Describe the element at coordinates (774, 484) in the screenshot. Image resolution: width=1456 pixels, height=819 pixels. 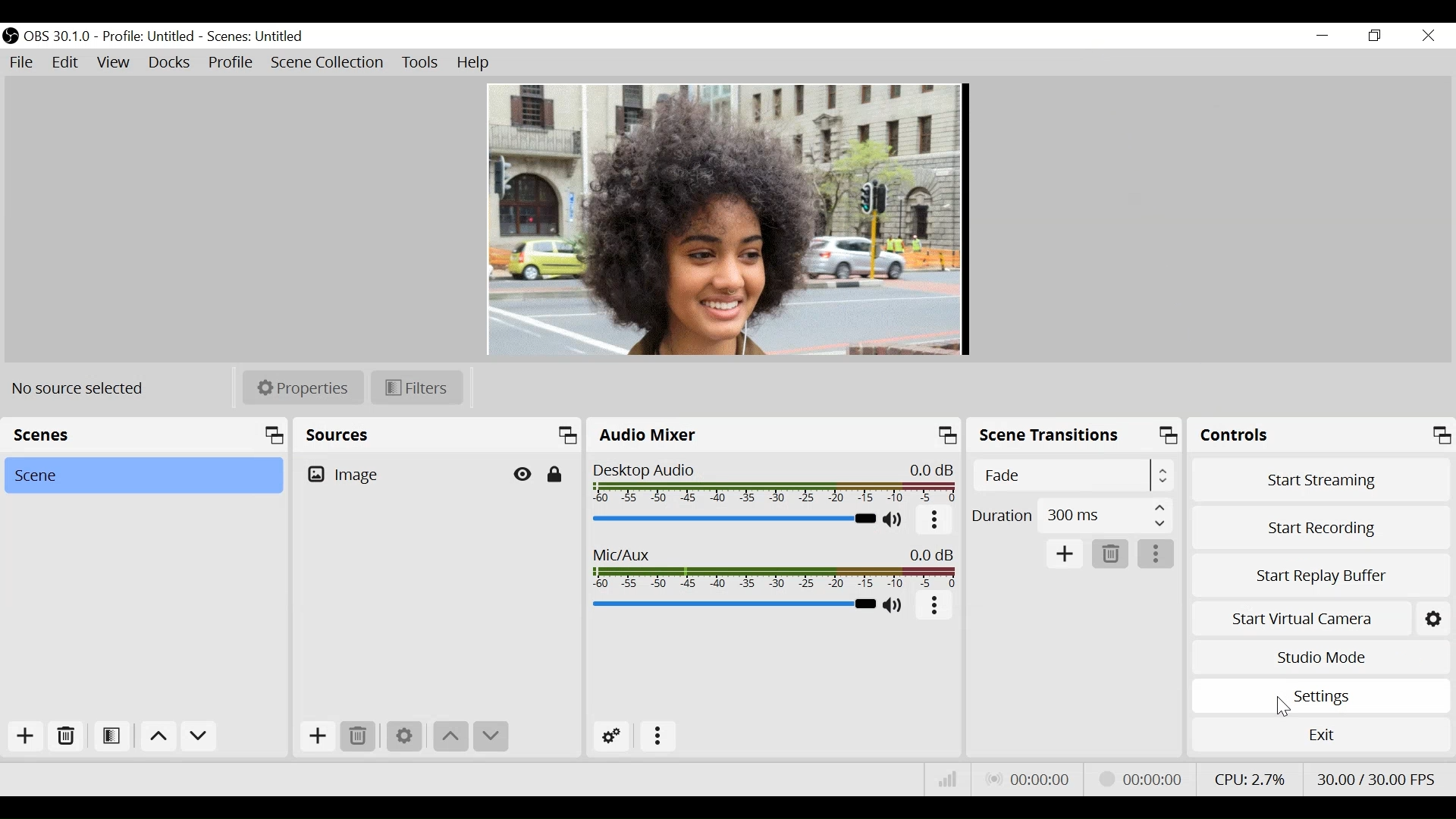
I see `Desktop Audio` at that location.